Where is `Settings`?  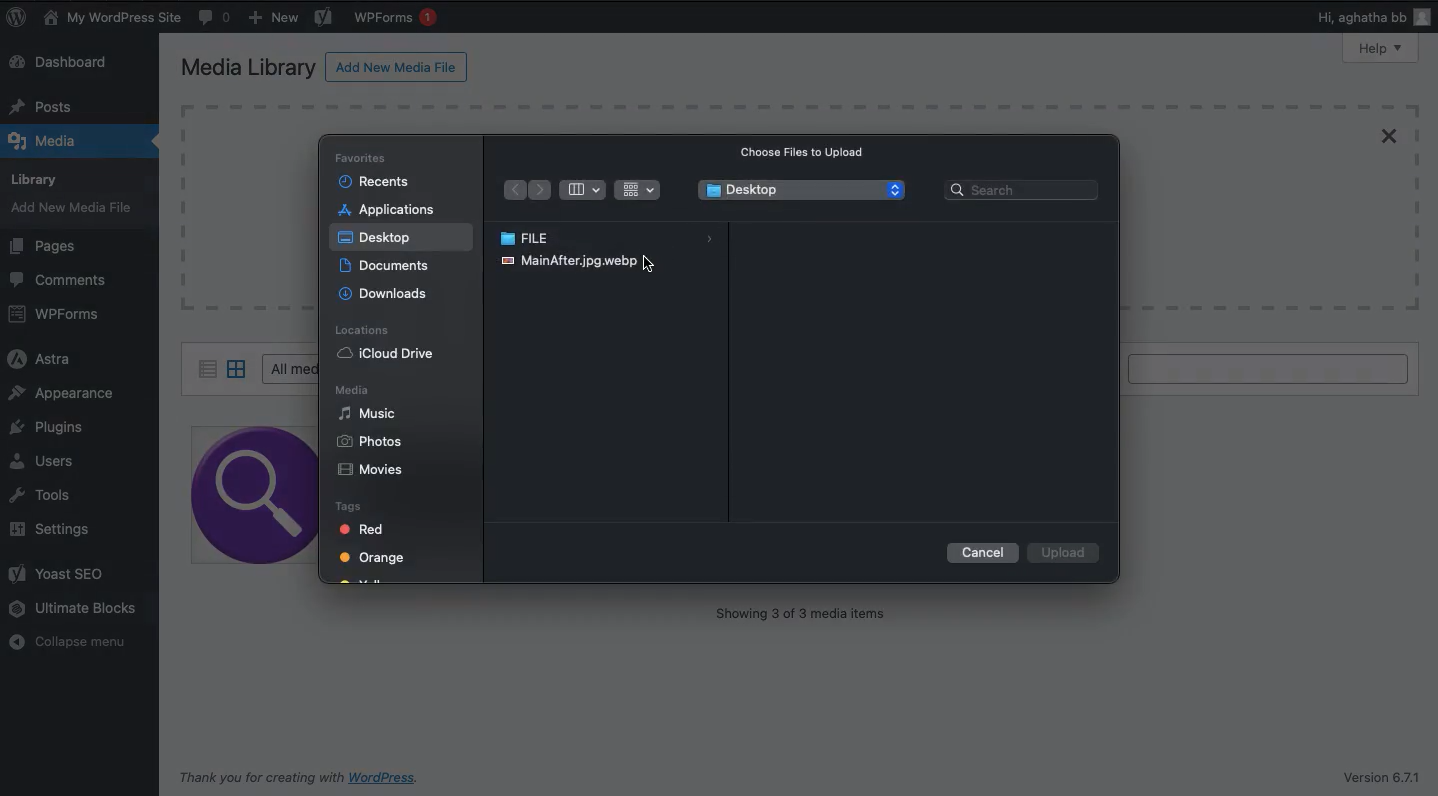 Settings is located at coordinates (48, 529).